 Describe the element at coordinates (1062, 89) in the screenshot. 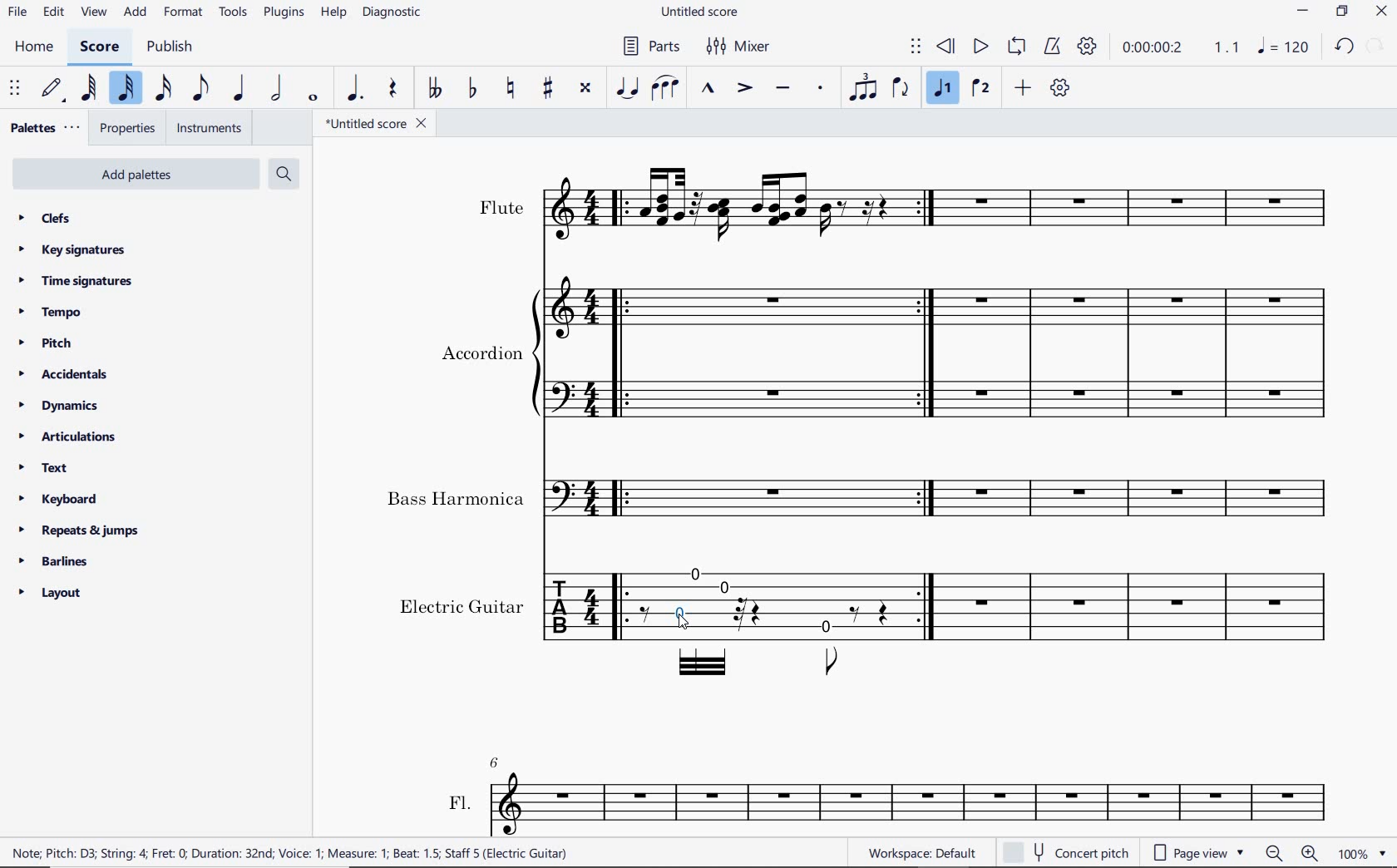

I see `customize toolbar` at that location.